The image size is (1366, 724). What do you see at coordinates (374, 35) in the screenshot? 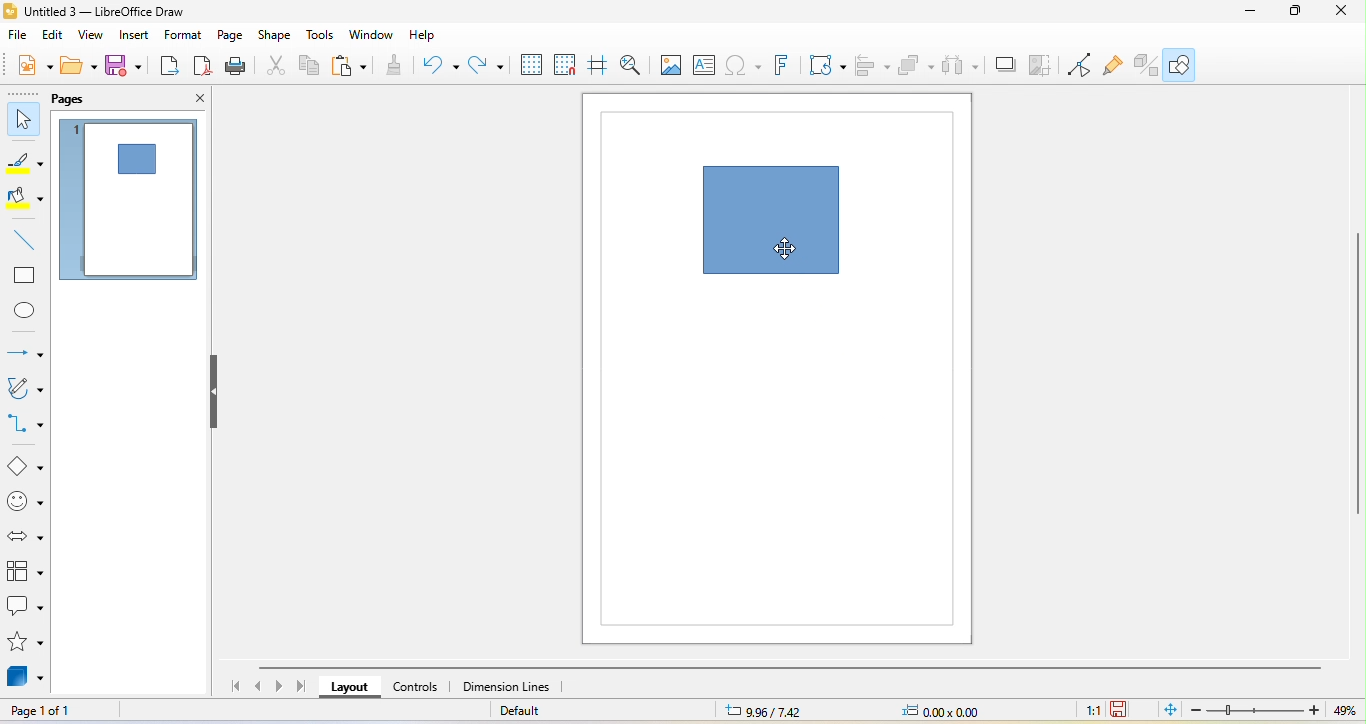
I see `window` at bounding box center [374, 35].